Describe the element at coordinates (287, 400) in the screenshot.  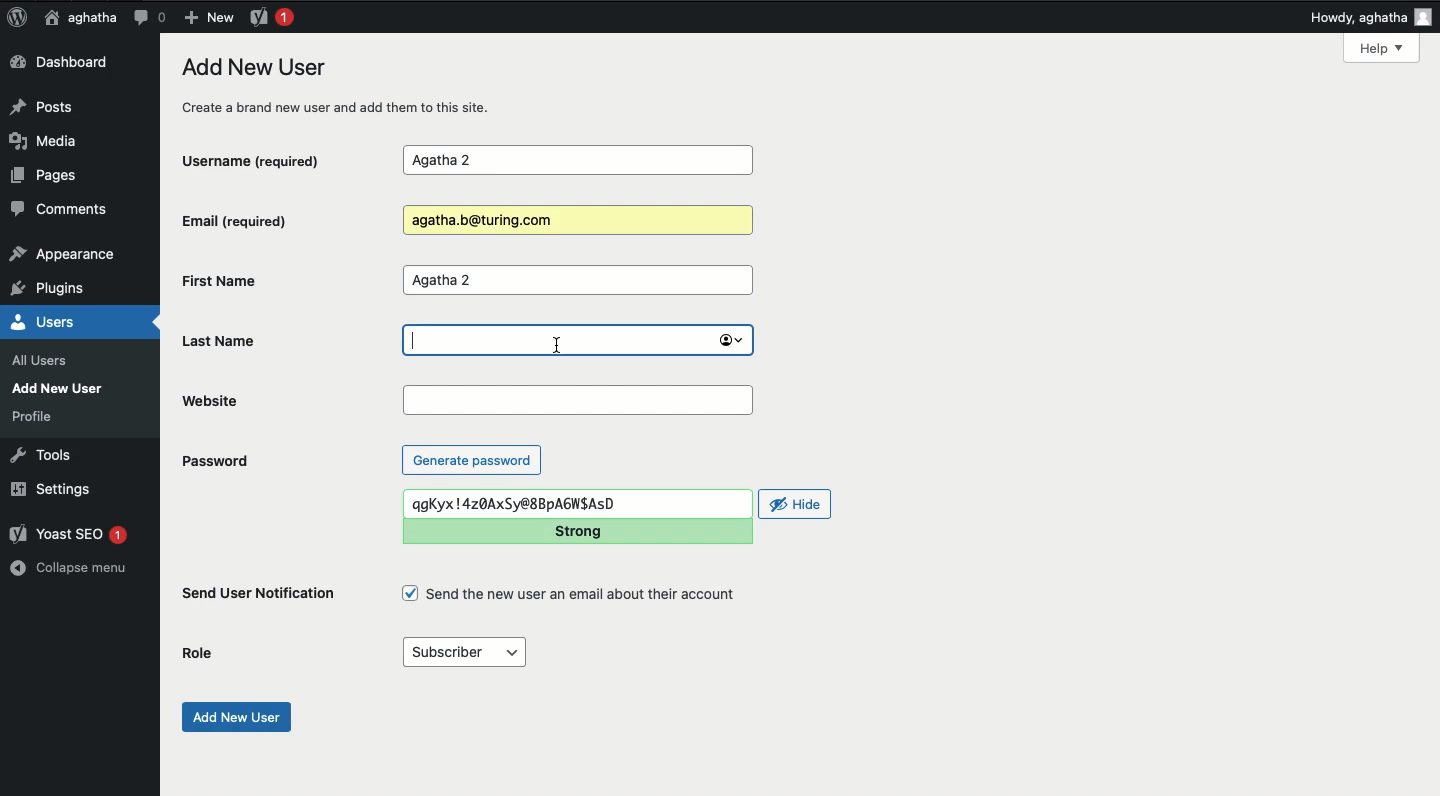
I see `Website` at that location.